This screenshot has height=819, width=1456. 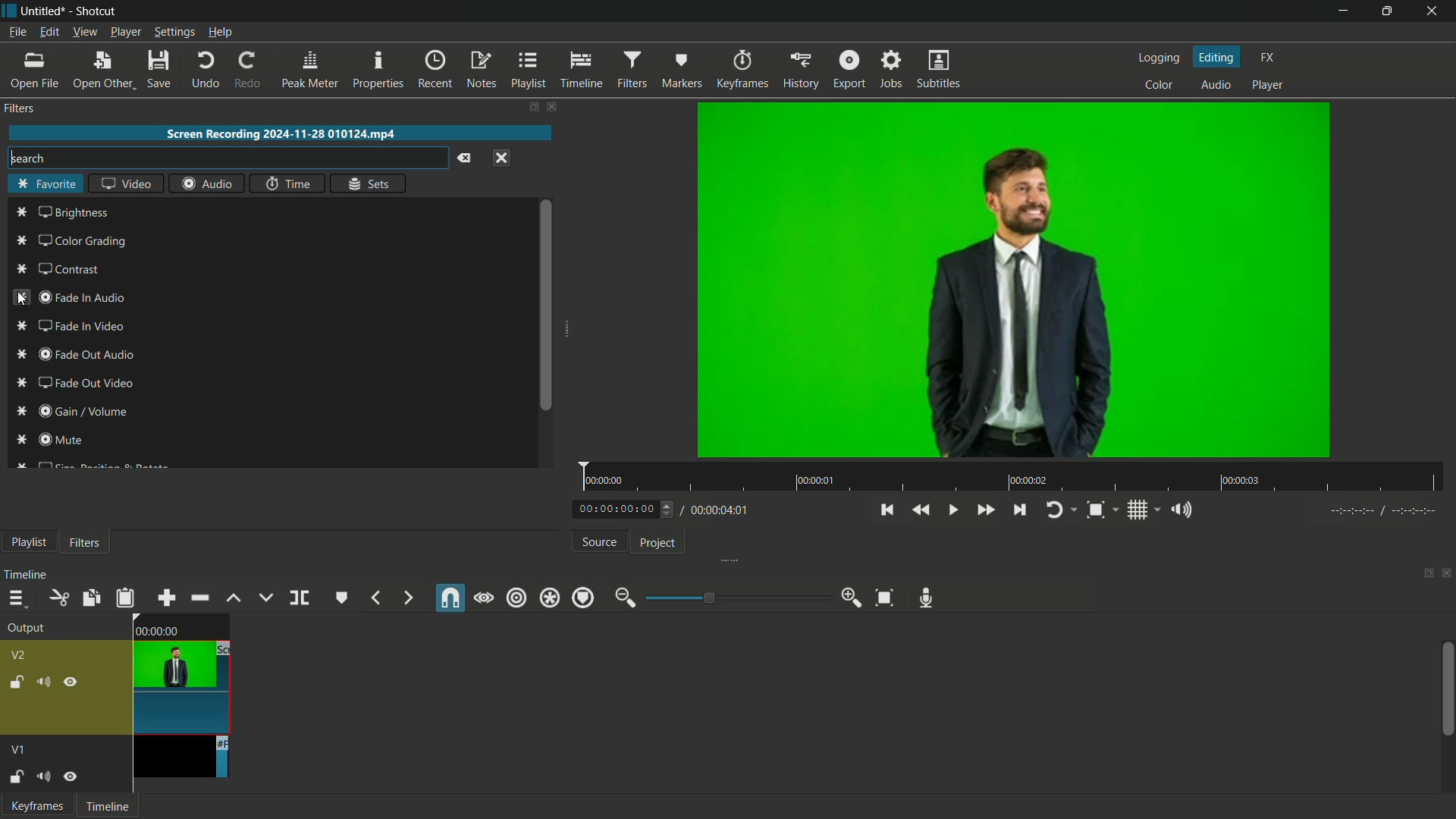 What do you see at coordinates (46, 184) in the screenshot?
I see `favorite` at bounding box center [46, 184].